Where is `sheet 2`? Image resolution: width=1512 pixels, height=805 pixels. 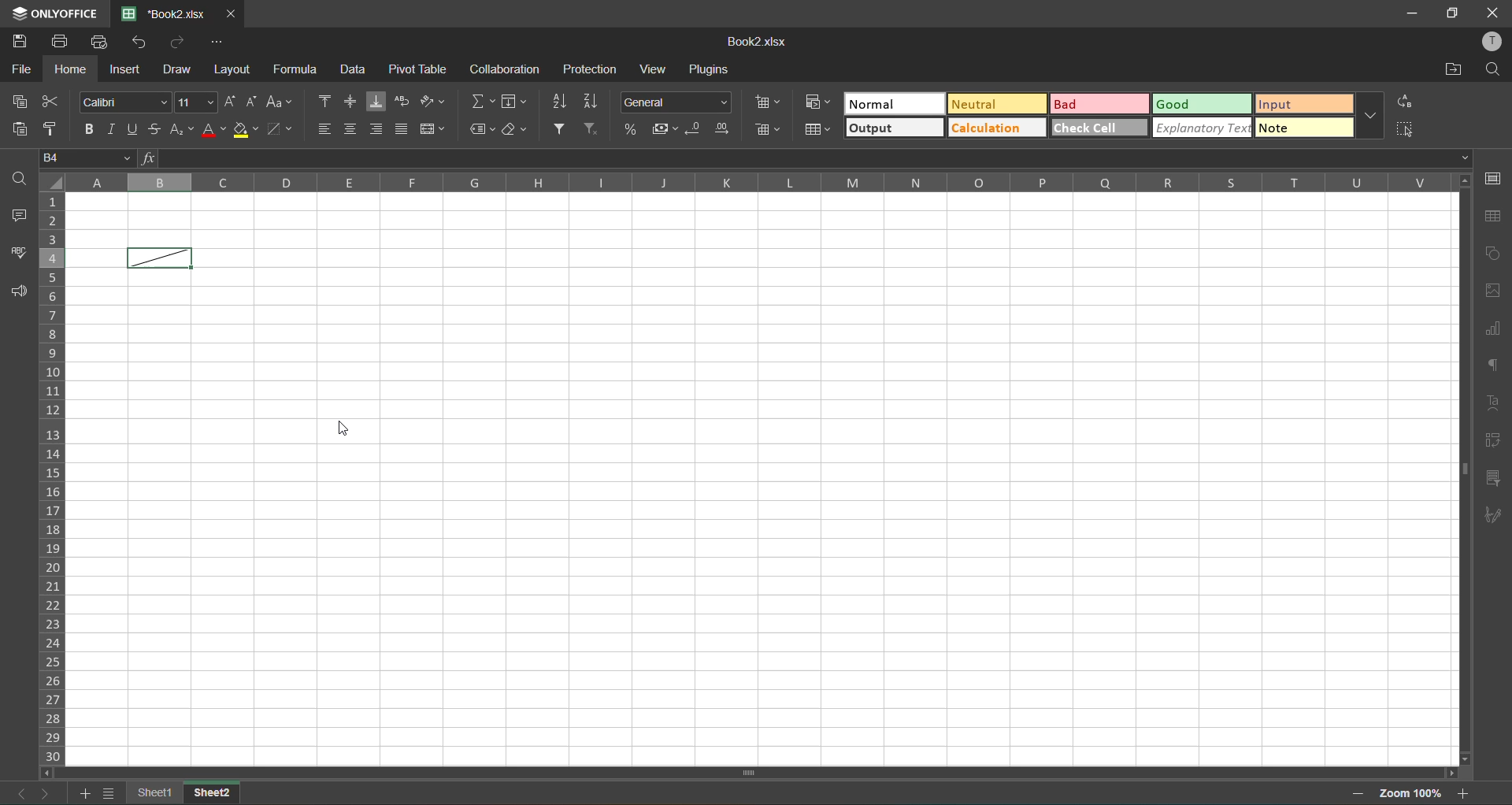 sheet 2 is located at coordinates (213, 792).